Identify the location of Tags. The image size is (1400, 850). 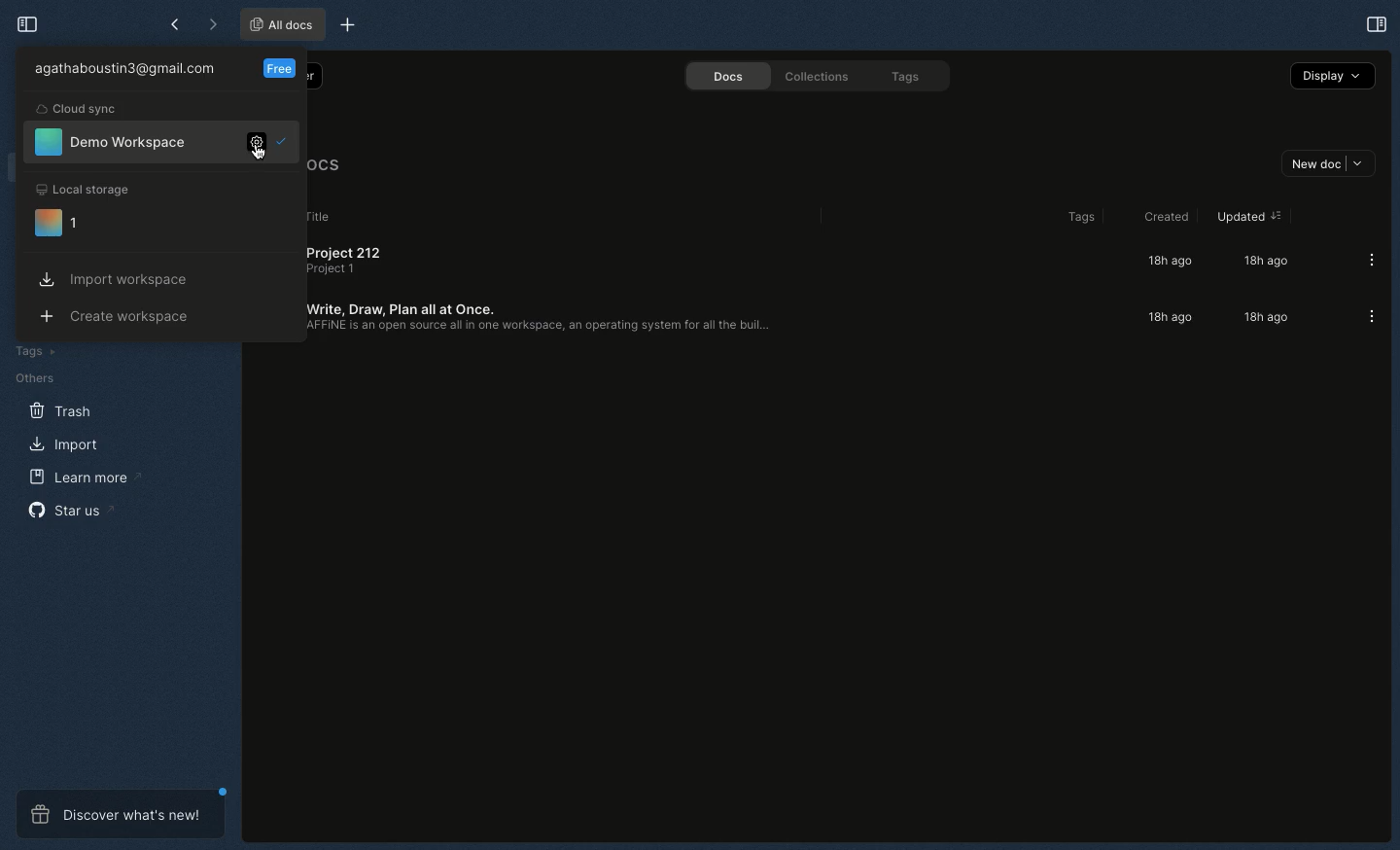
(32, 350).